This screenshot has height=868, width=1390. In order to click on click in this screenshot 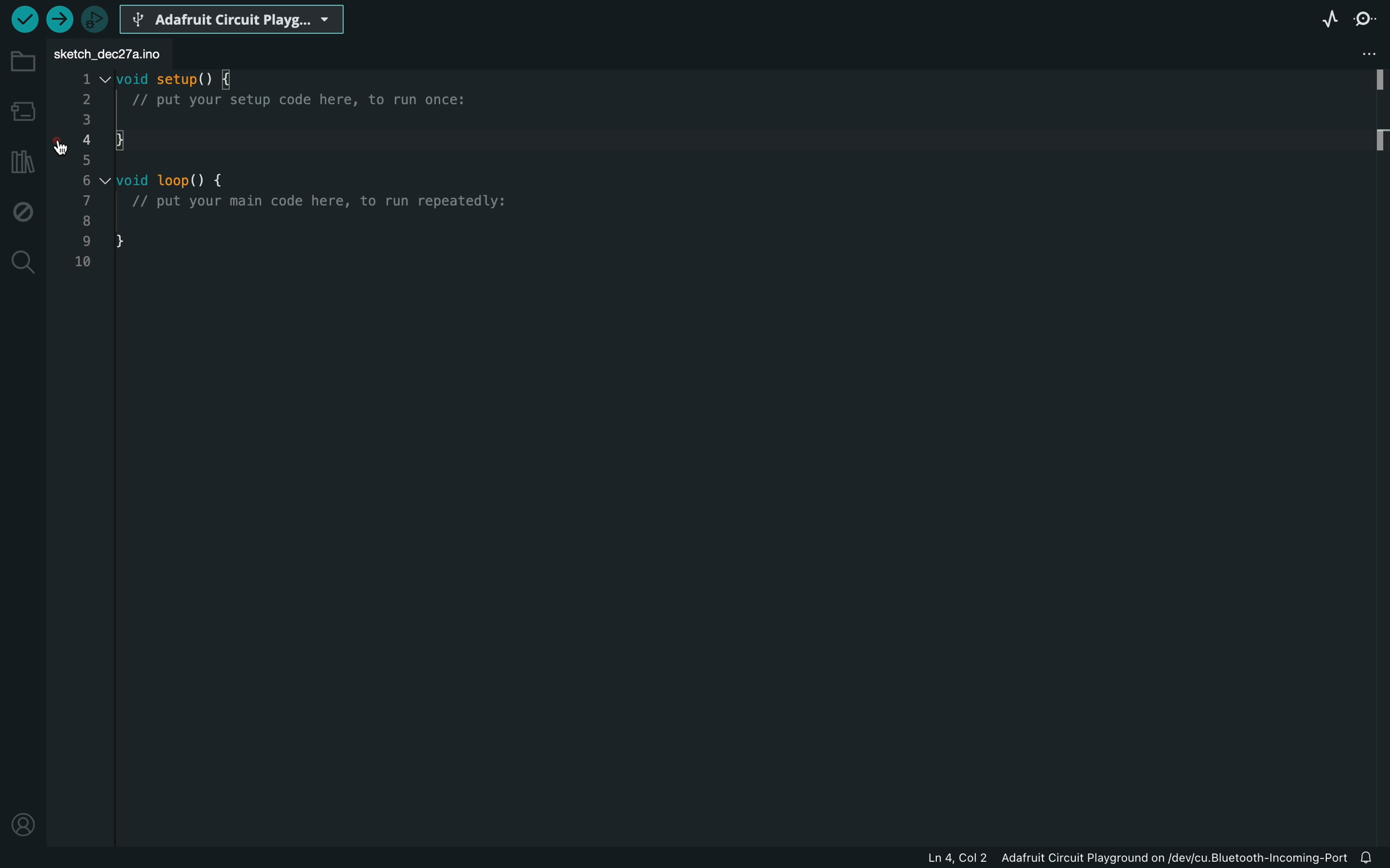, I will do `click(61, 146)`.